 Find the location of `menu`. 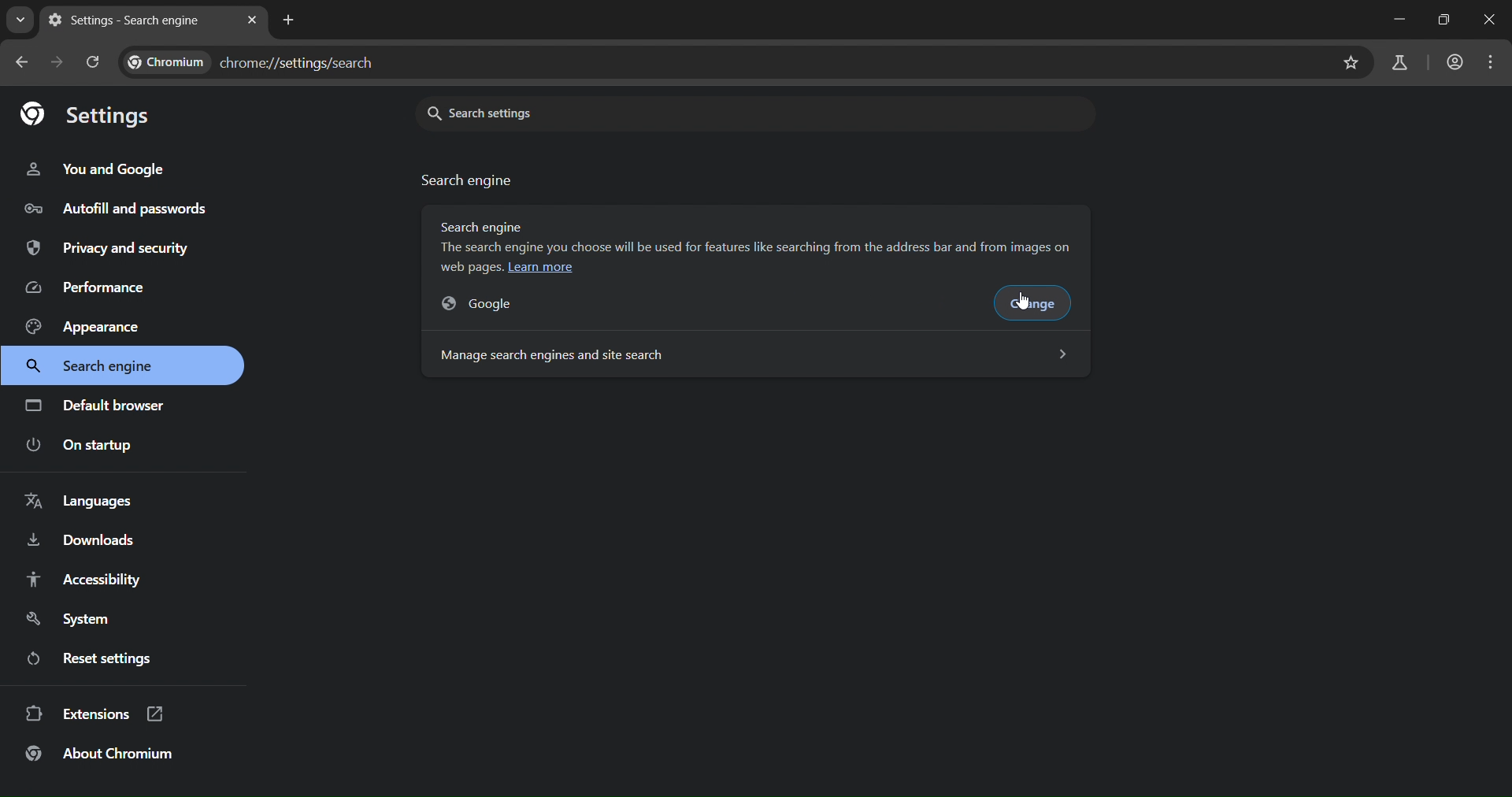

menu is located at coordinates (1492, 63).